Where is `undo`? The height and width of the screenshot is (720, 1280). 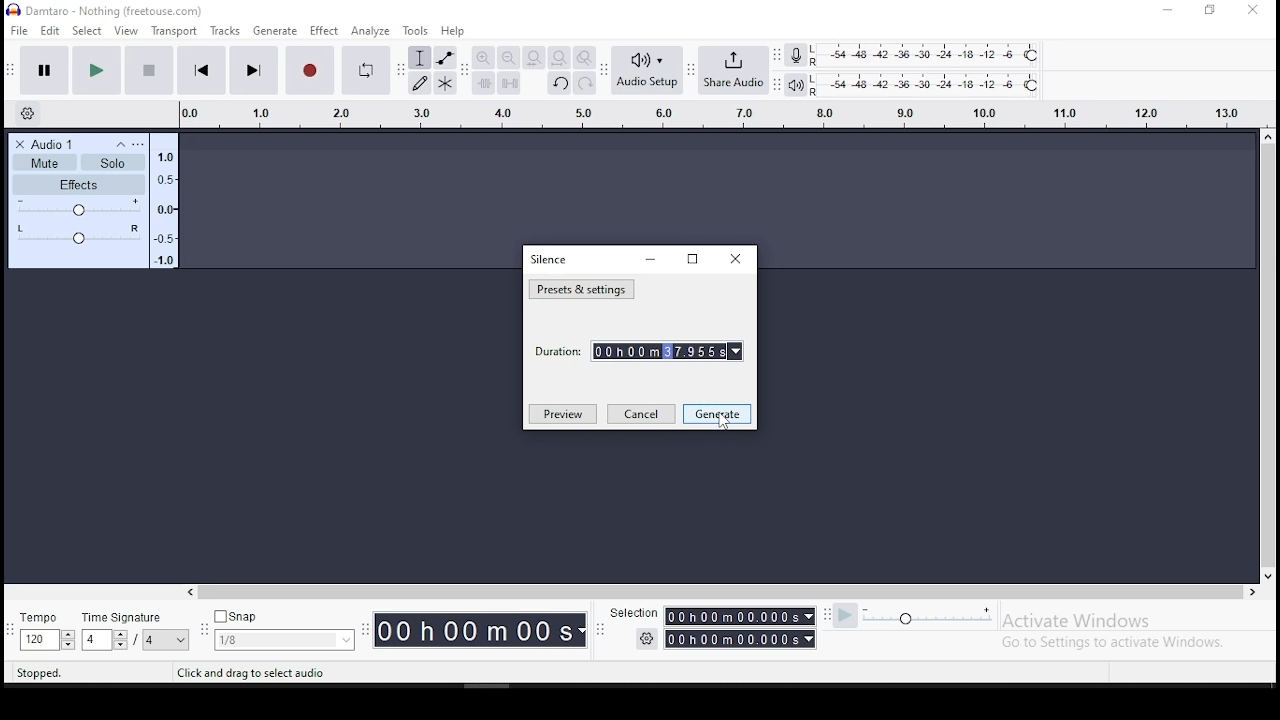
undo is located at coordinates (560, 82).